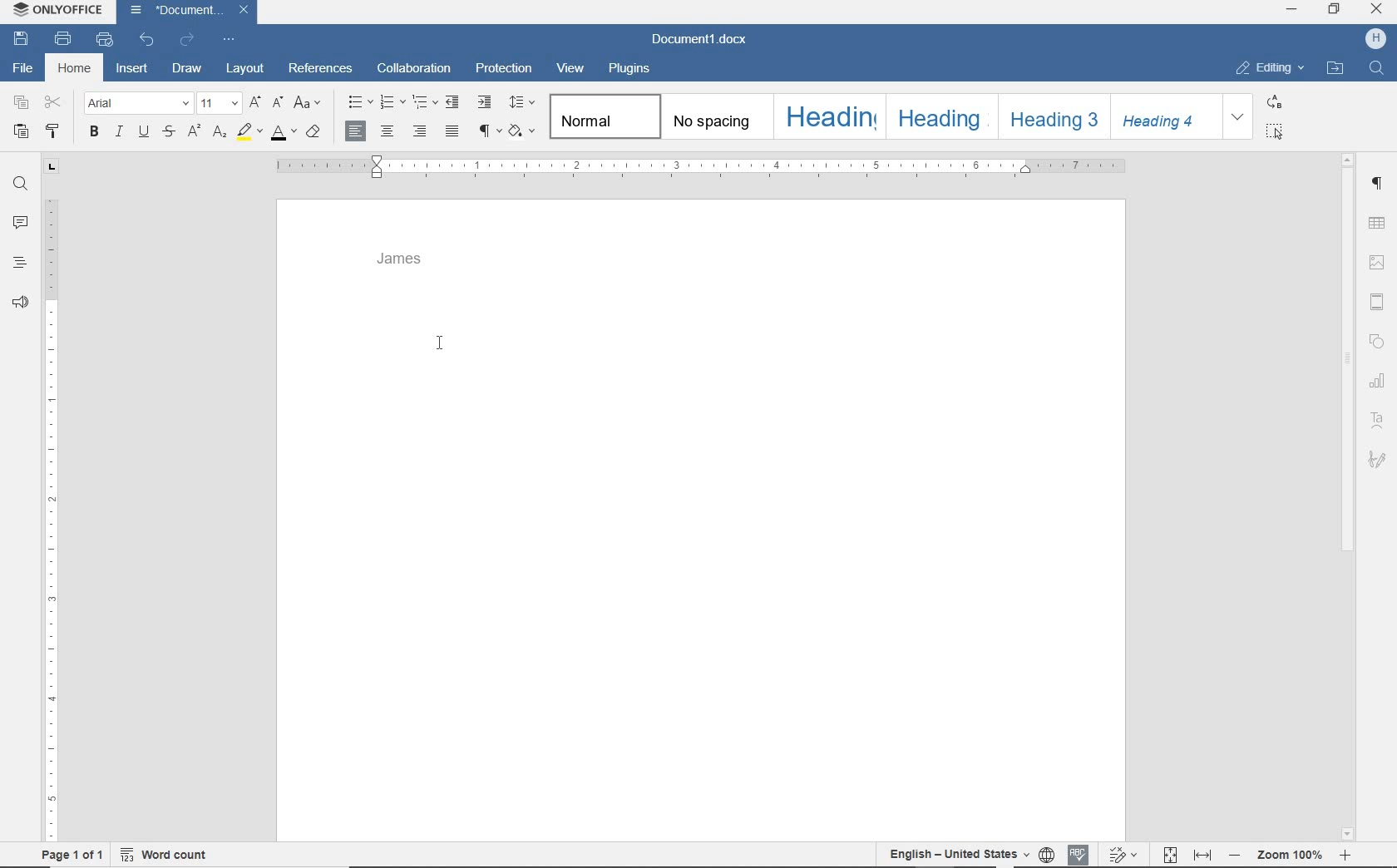 The image size is (1397, 868). What do you see at coordinates (822, 116) in the screenshot?
I see `Heading1` at bounding box center [822, 116].